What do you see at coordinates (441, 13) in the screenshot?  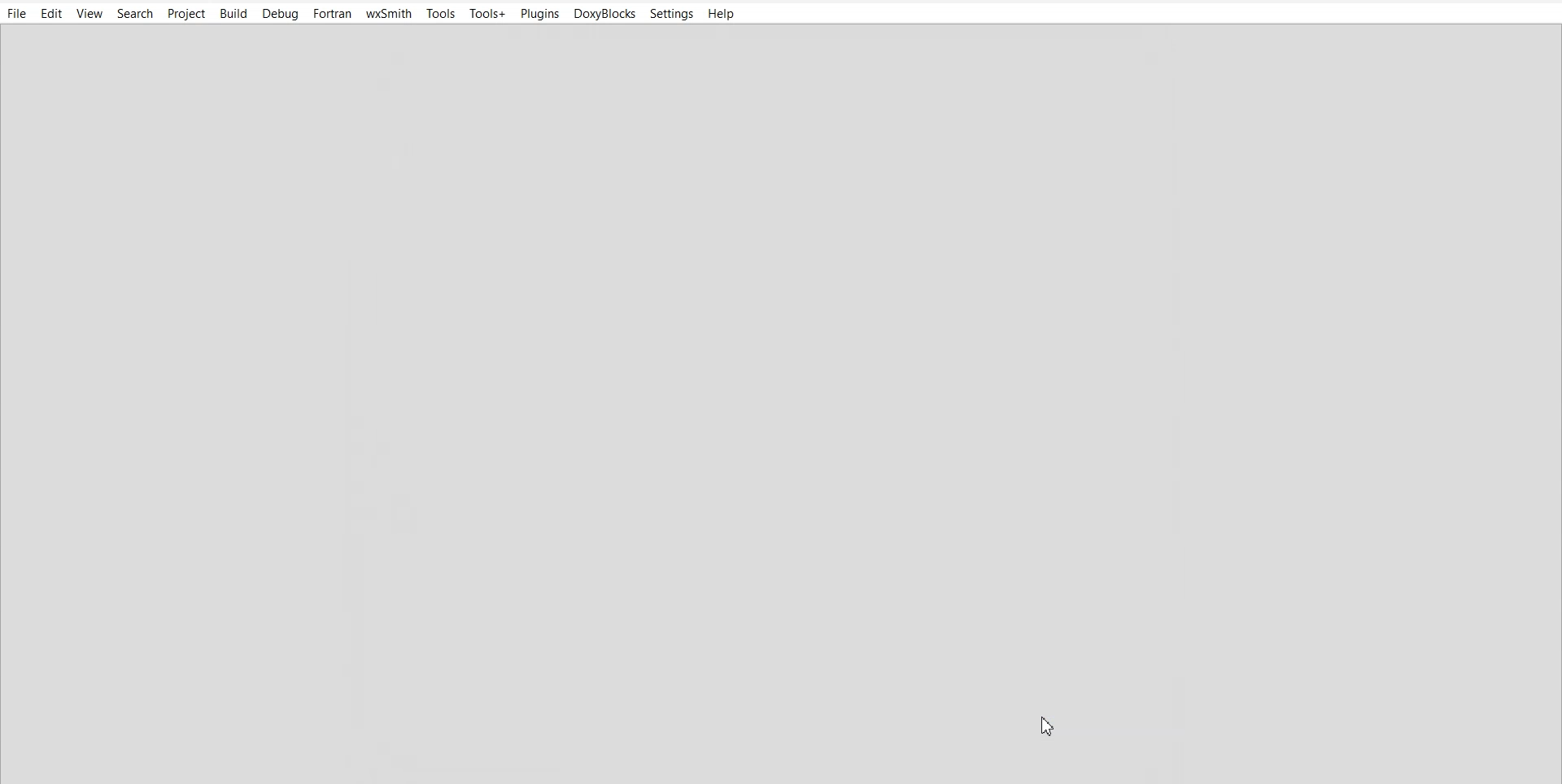 I see `Tools` at bounding box center [441, 13].